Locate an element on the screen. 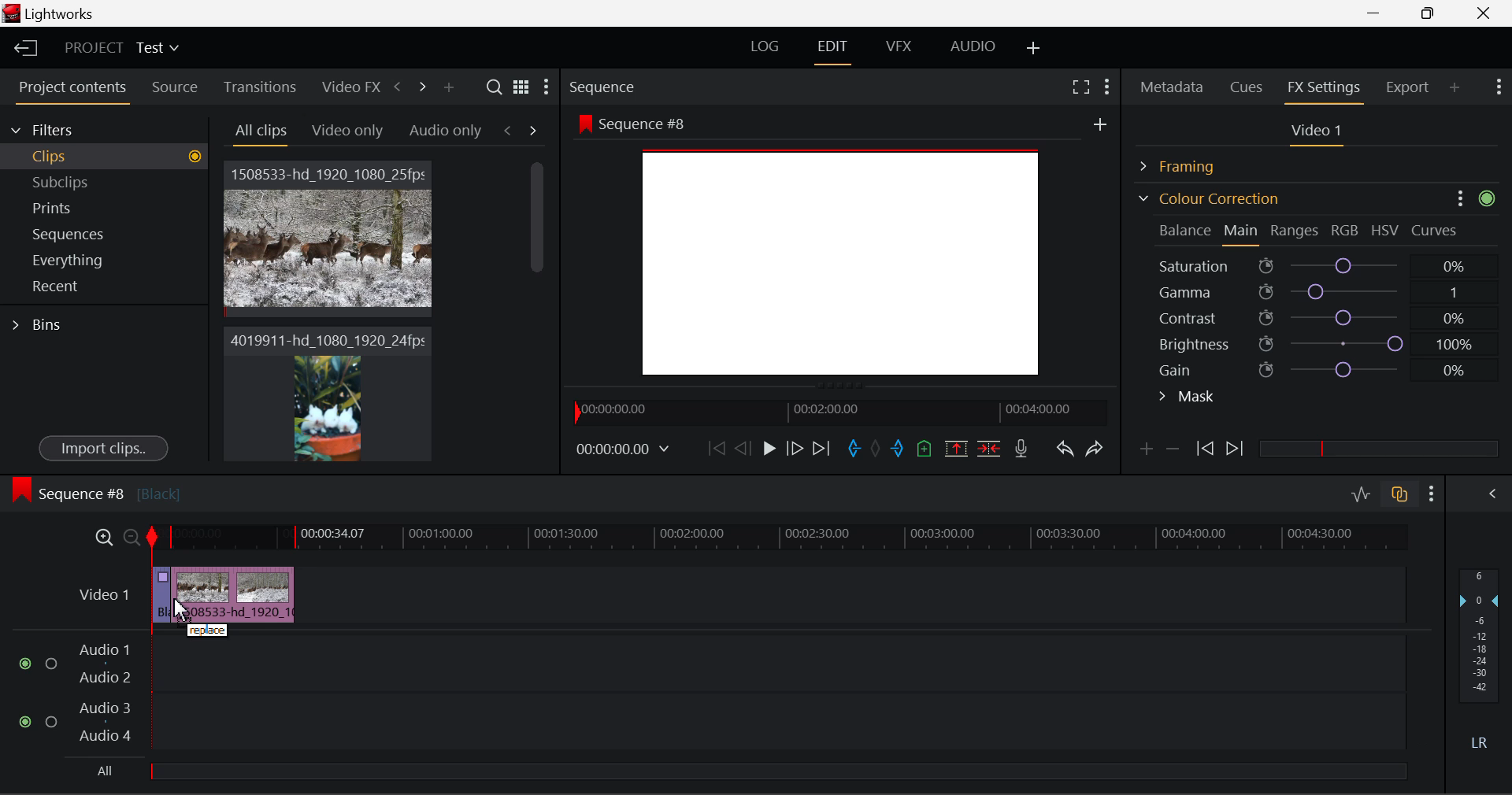 The height and width of the screenshot is (795, 1512). Show Settings is located at coordinates (1497, 85).